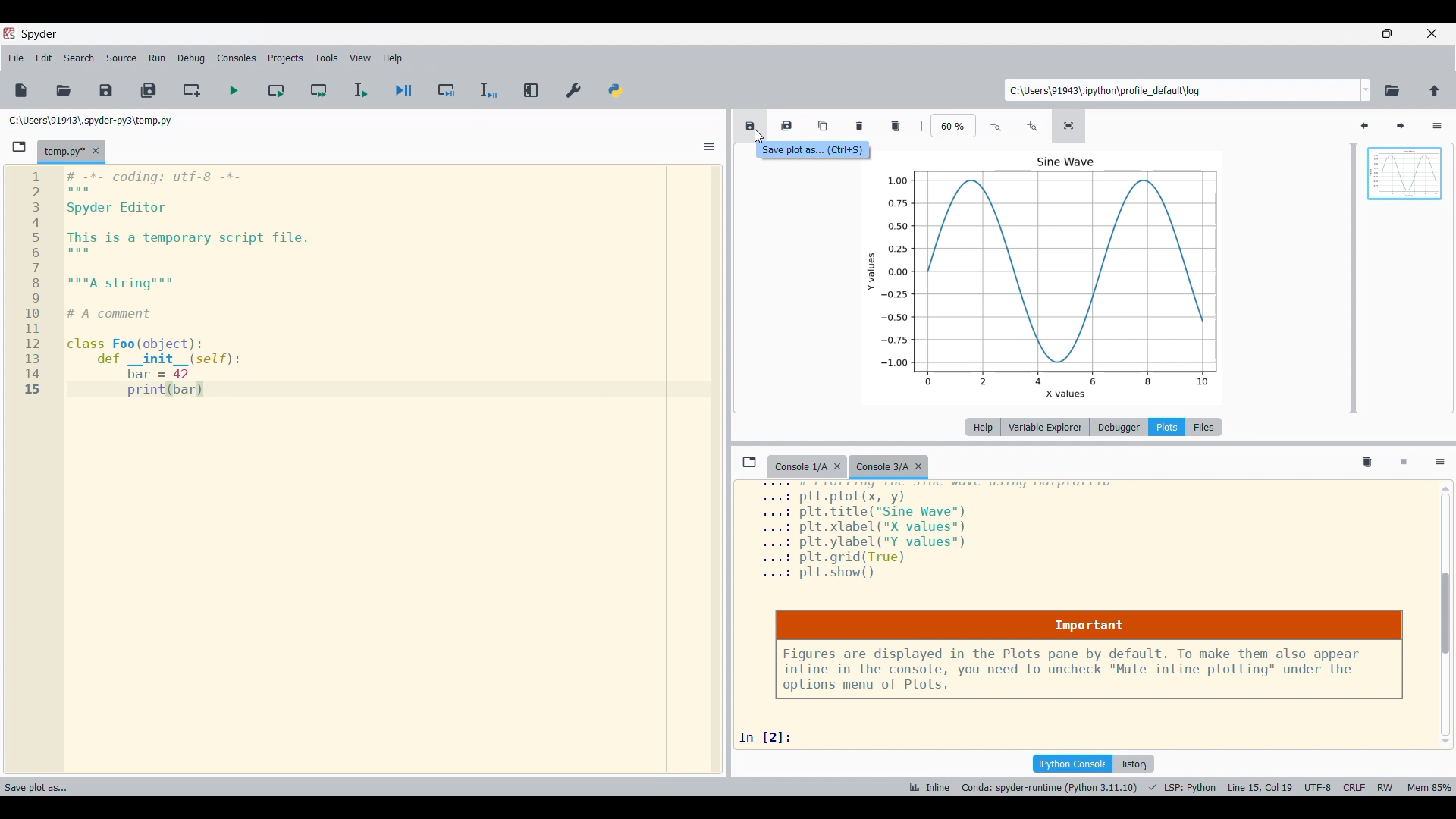  I want to click on Change to parent directory, so click(1435, 90).